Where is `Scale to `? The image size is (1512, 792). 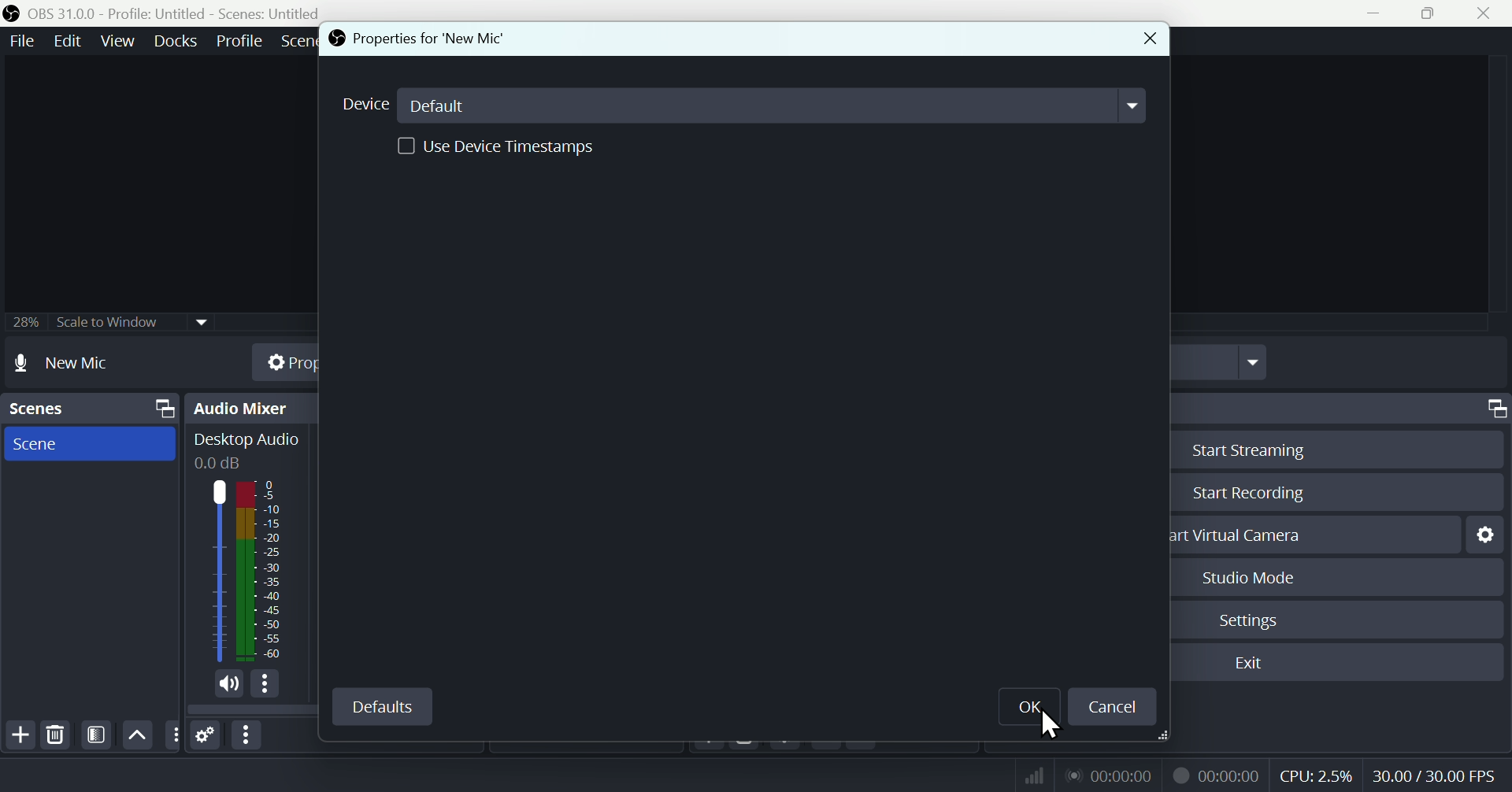 Scale to  is located at coordinates (103, 324).